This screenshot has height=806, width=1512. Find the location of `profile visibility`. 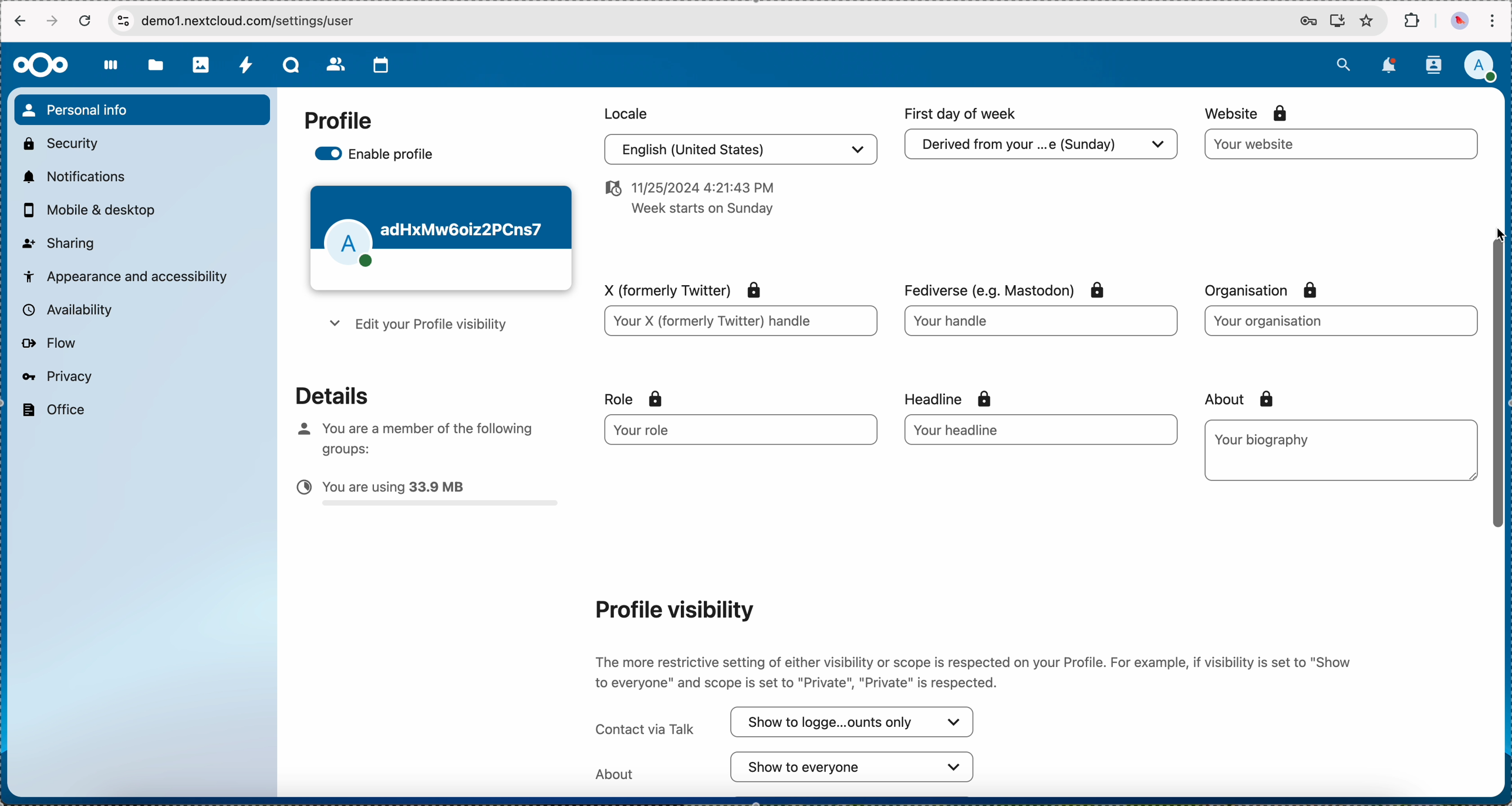

profile visibility is located at coordinates (673, 609).